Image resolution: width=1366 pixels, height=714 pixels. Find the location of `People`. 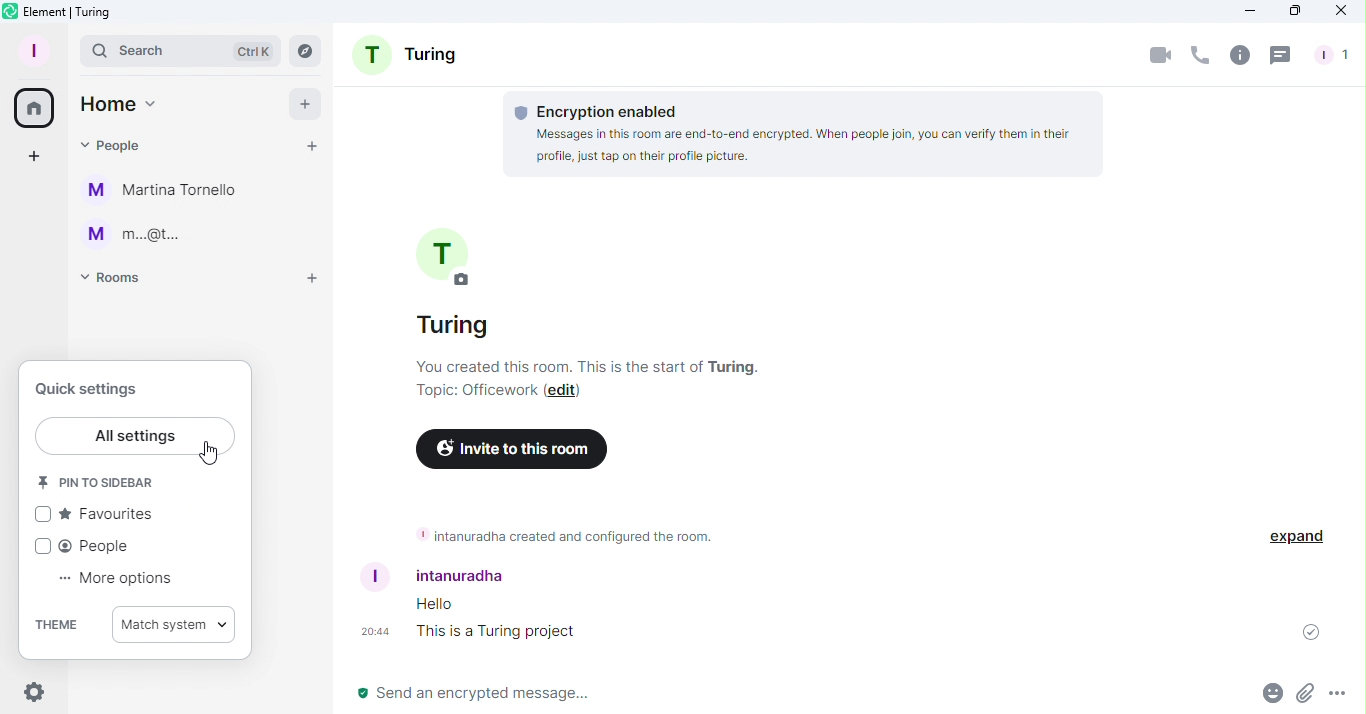

People is located at coordinates (112, 548).